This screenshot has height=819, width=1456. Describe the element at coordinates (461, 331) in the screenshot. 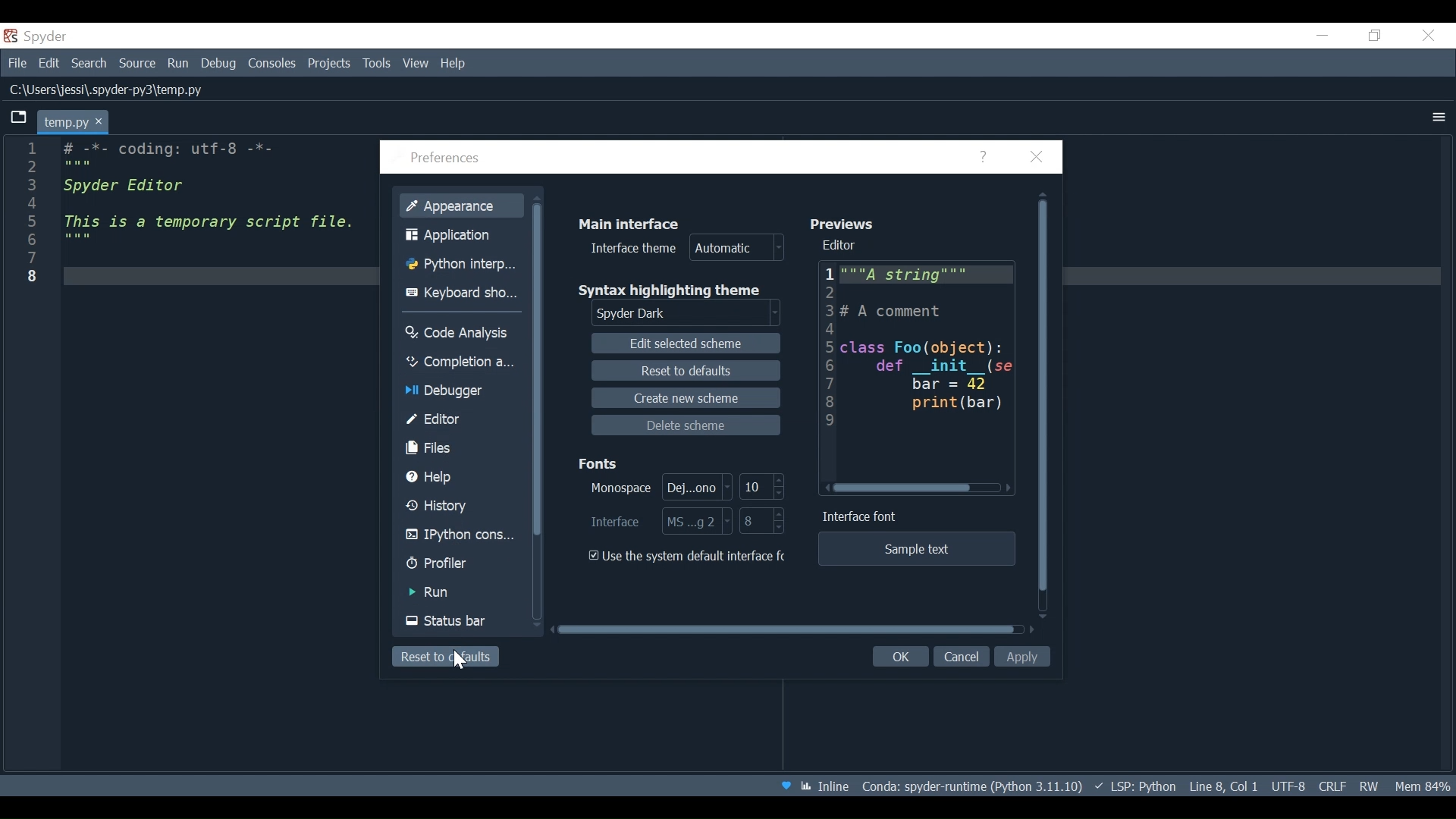

I see `Code Analysis` at that location.